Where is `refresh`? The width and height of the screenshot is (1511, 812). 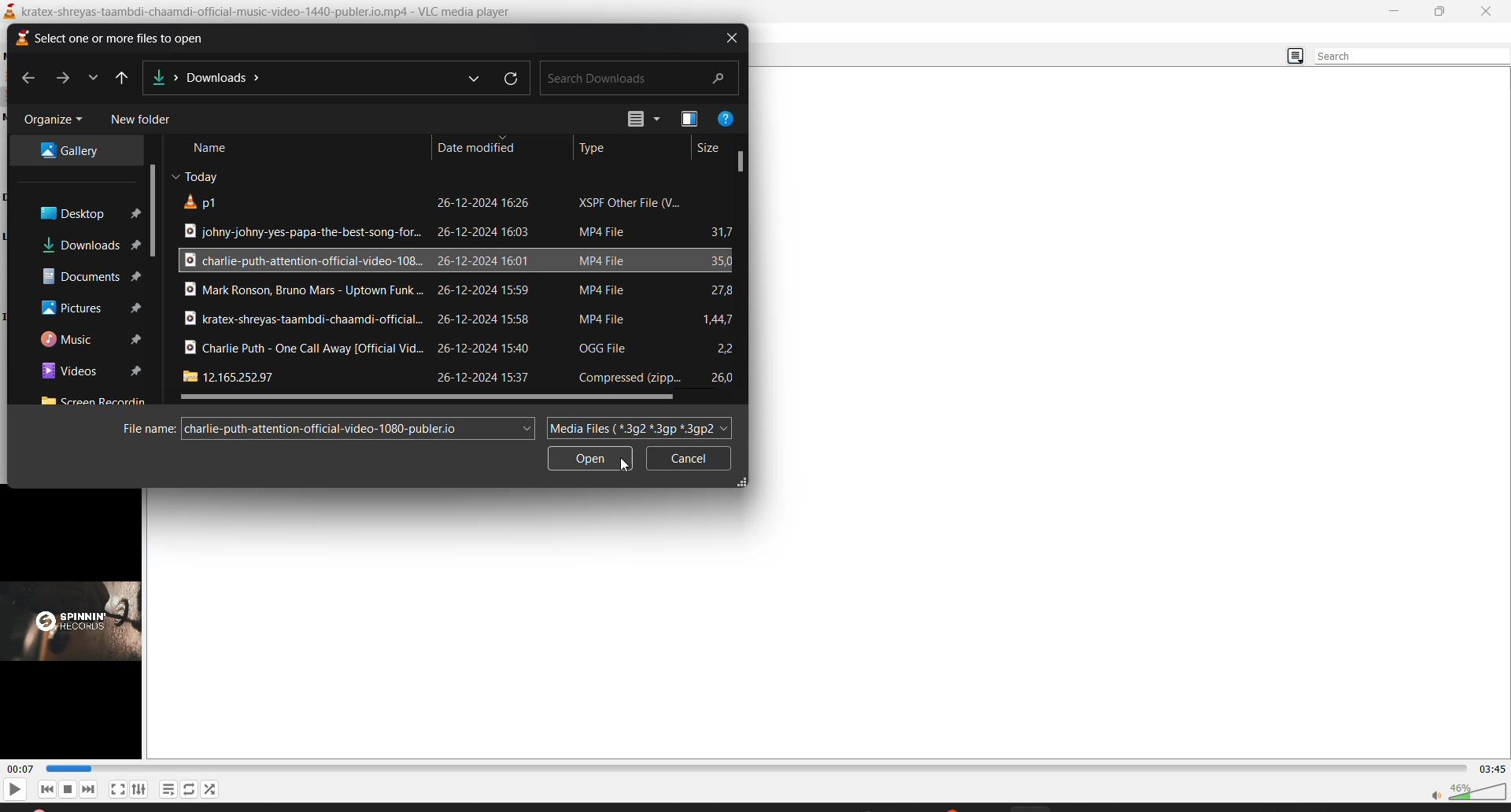 refresh is located at coordinates (510, 79).